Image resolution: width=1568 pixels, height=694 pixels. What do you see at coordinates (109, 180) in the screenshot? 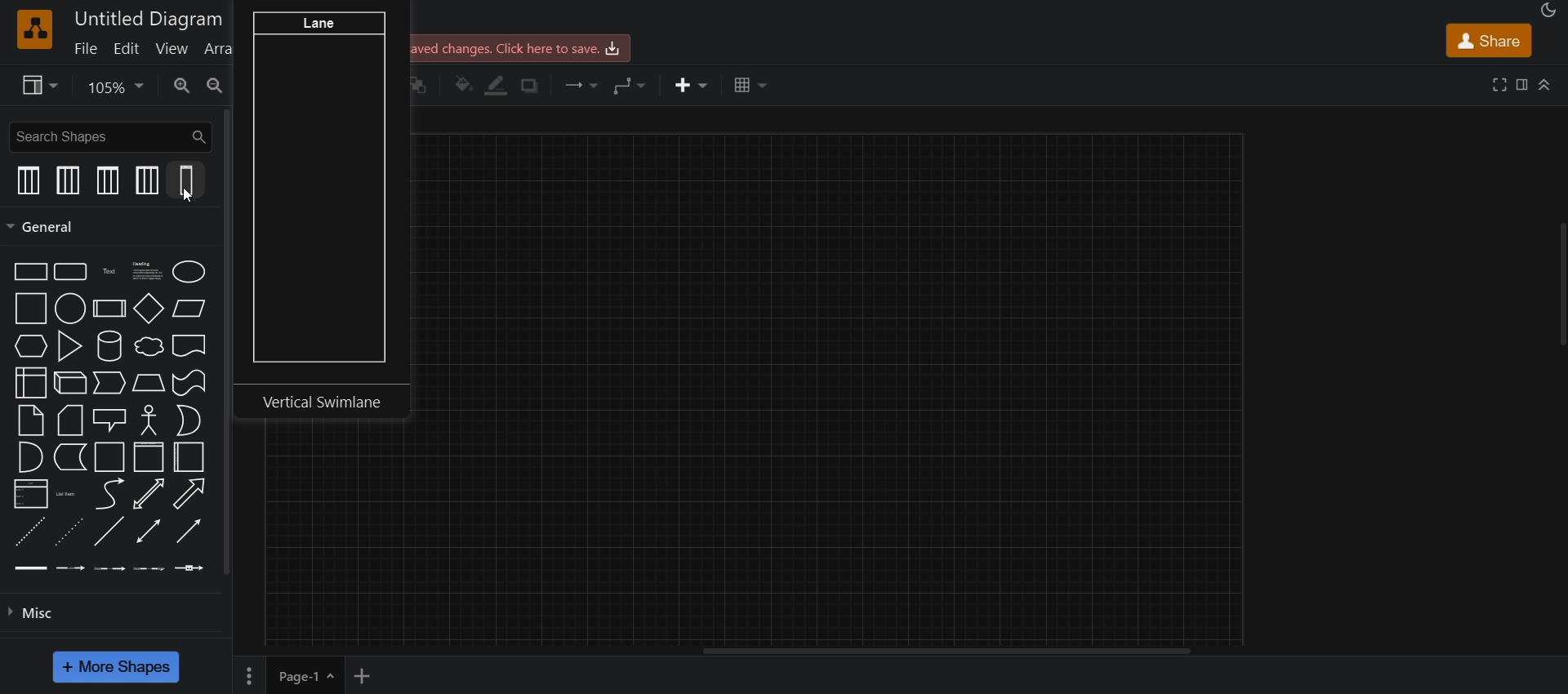
I see `vertical pool 1` at bounding box center [109, 180].